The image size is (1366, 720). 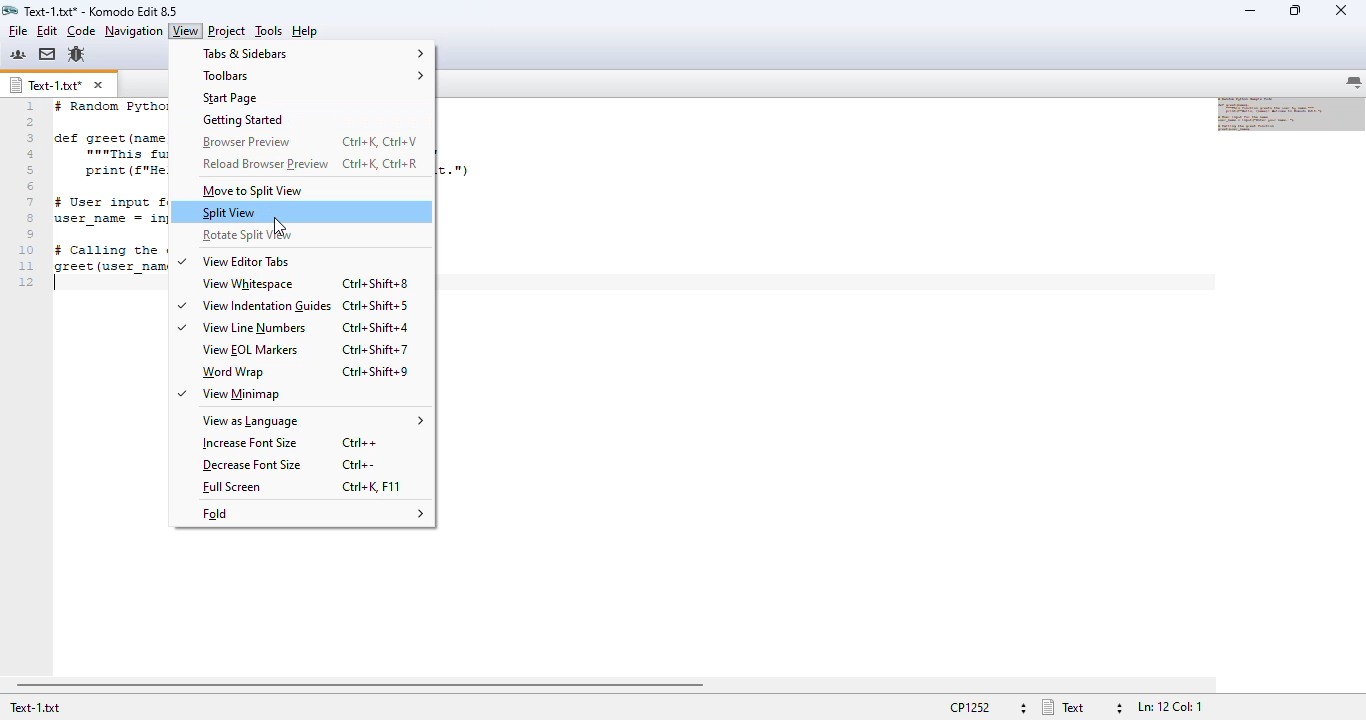 What do you see at coordinates (312, 512) in the screenshot?
I see `fold` at bounding box center [312, 512].